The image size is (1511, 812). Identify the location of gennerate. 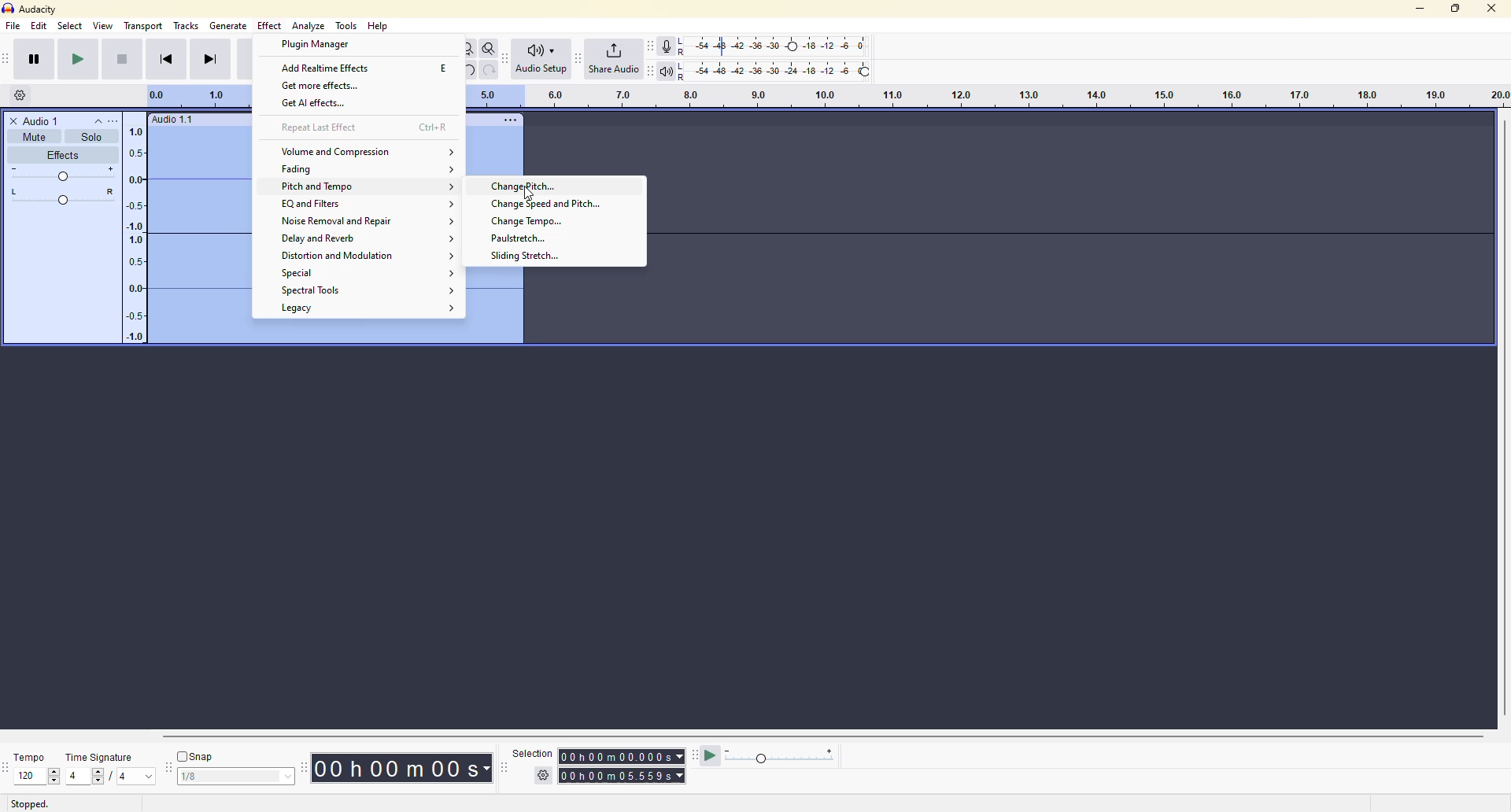
(227, 25).